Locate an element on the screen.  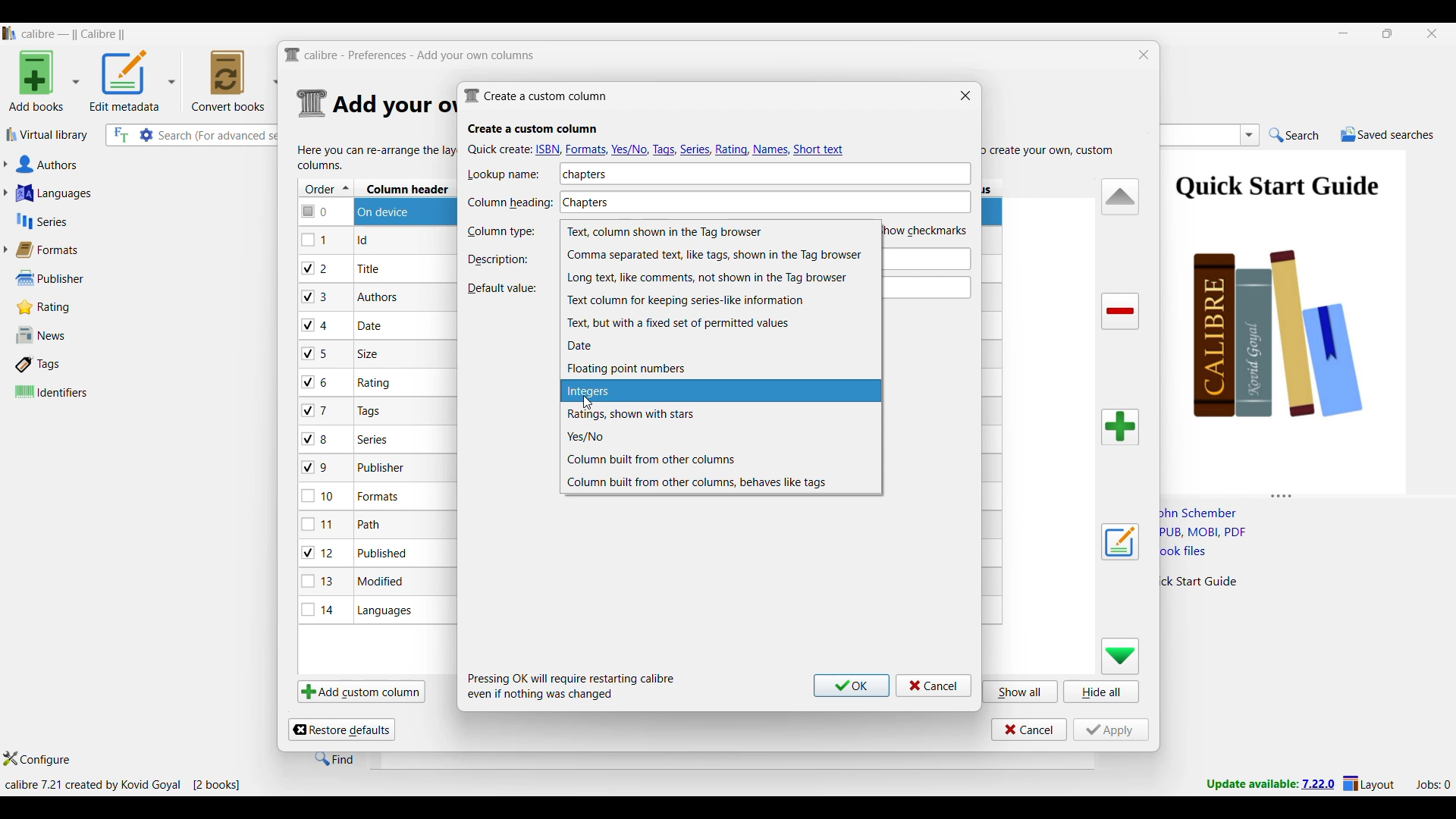
checkbox - 14 is located at coordinates (318, 609).